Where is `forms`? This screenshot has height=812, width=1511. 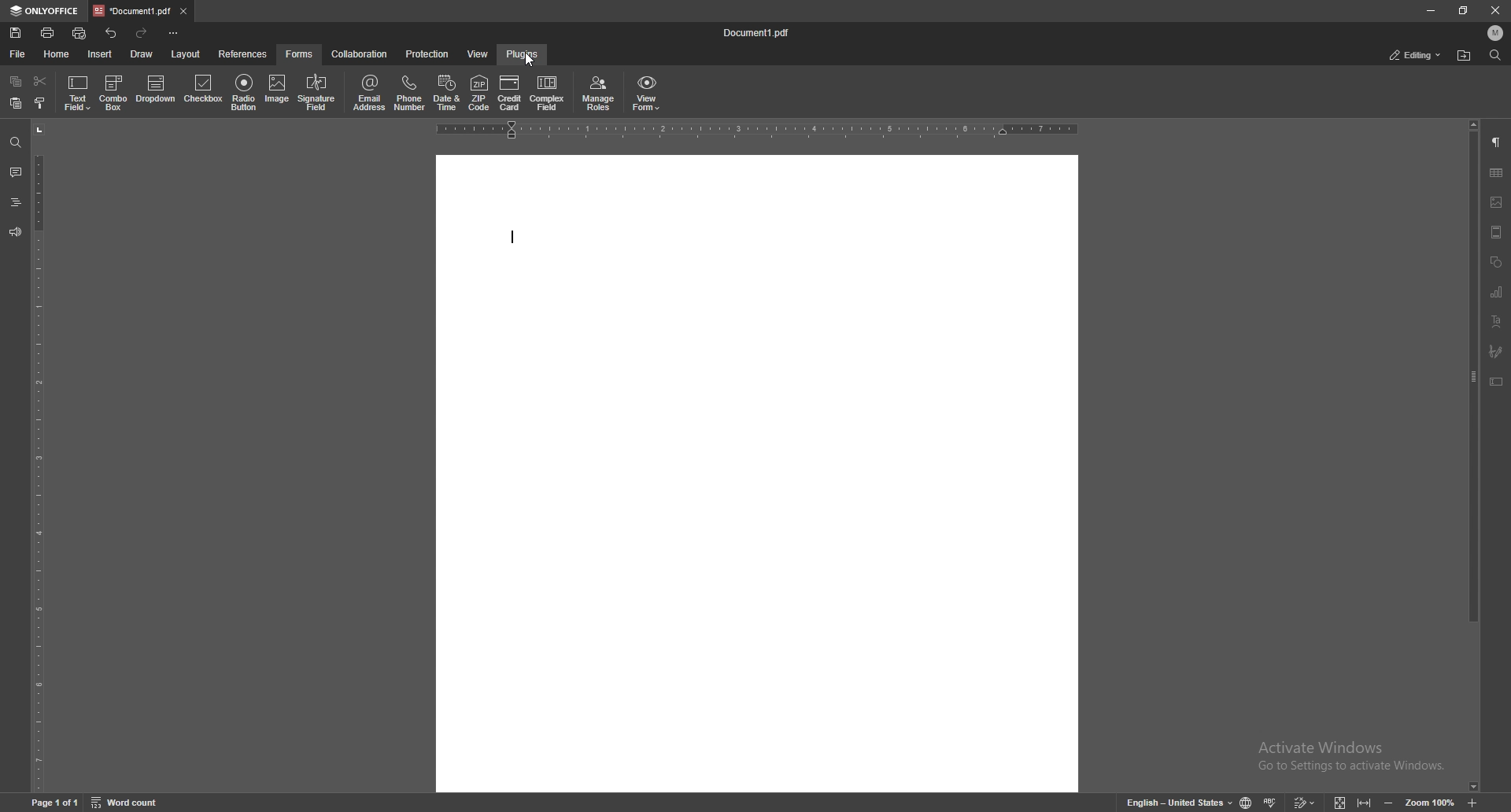 forms is located at coordinates (300, 54).